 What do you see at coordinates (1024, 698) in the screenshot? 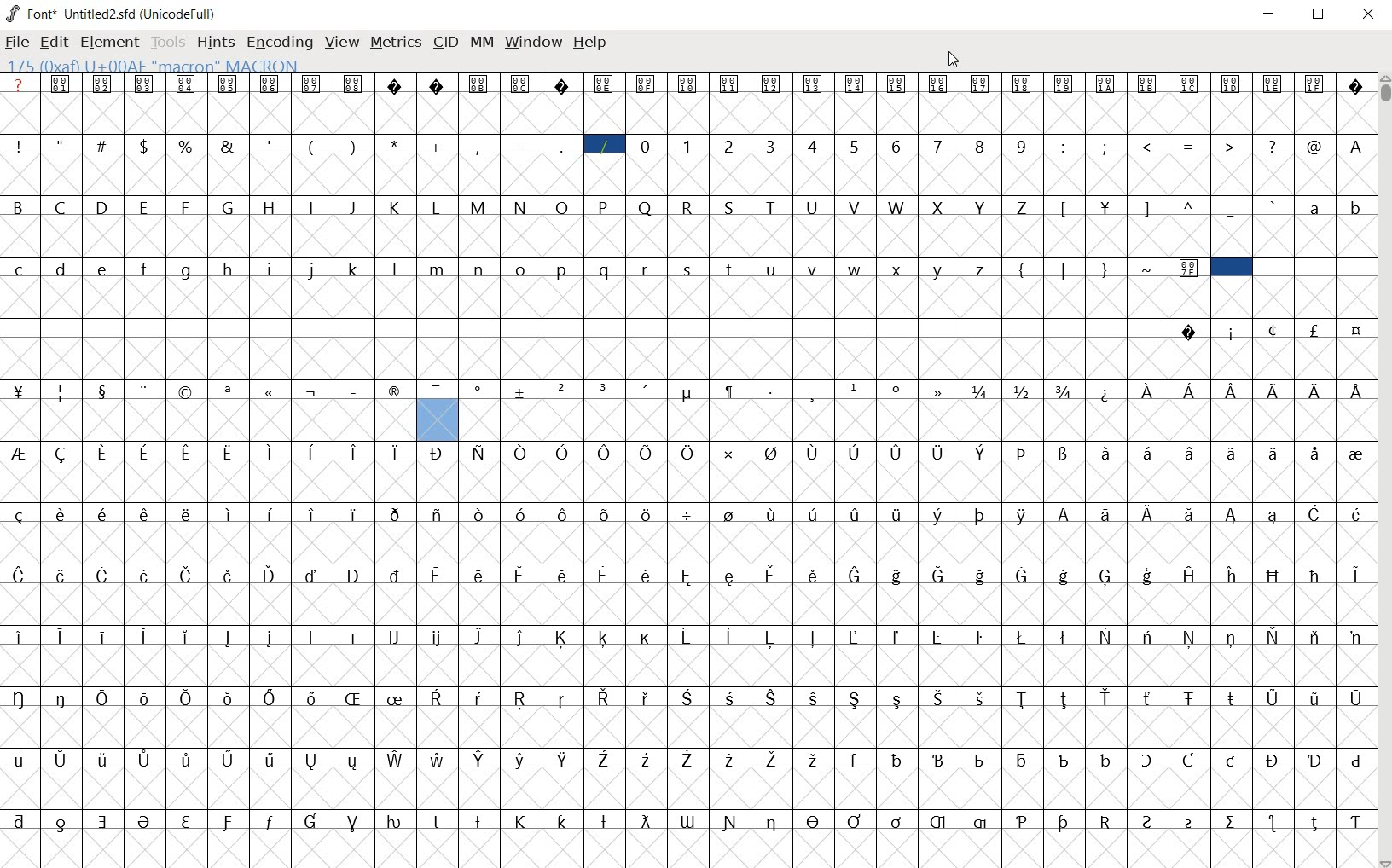
I see `Symbol` at bounding box center [1024, 698].